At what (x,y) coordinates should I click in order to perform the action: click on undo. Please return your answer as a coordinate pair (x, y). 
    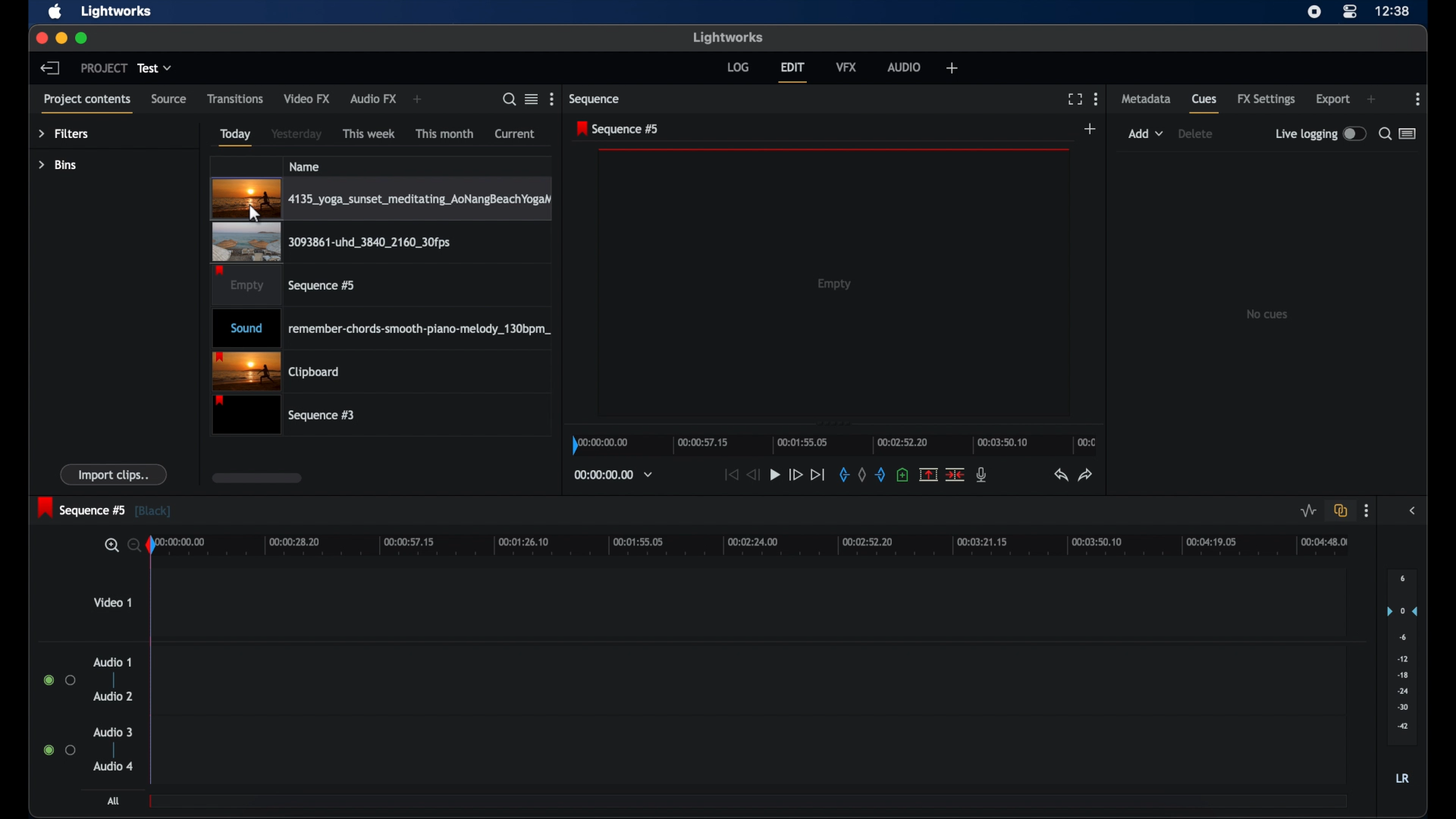
    Looking at the image, I should click on (1061, 475).